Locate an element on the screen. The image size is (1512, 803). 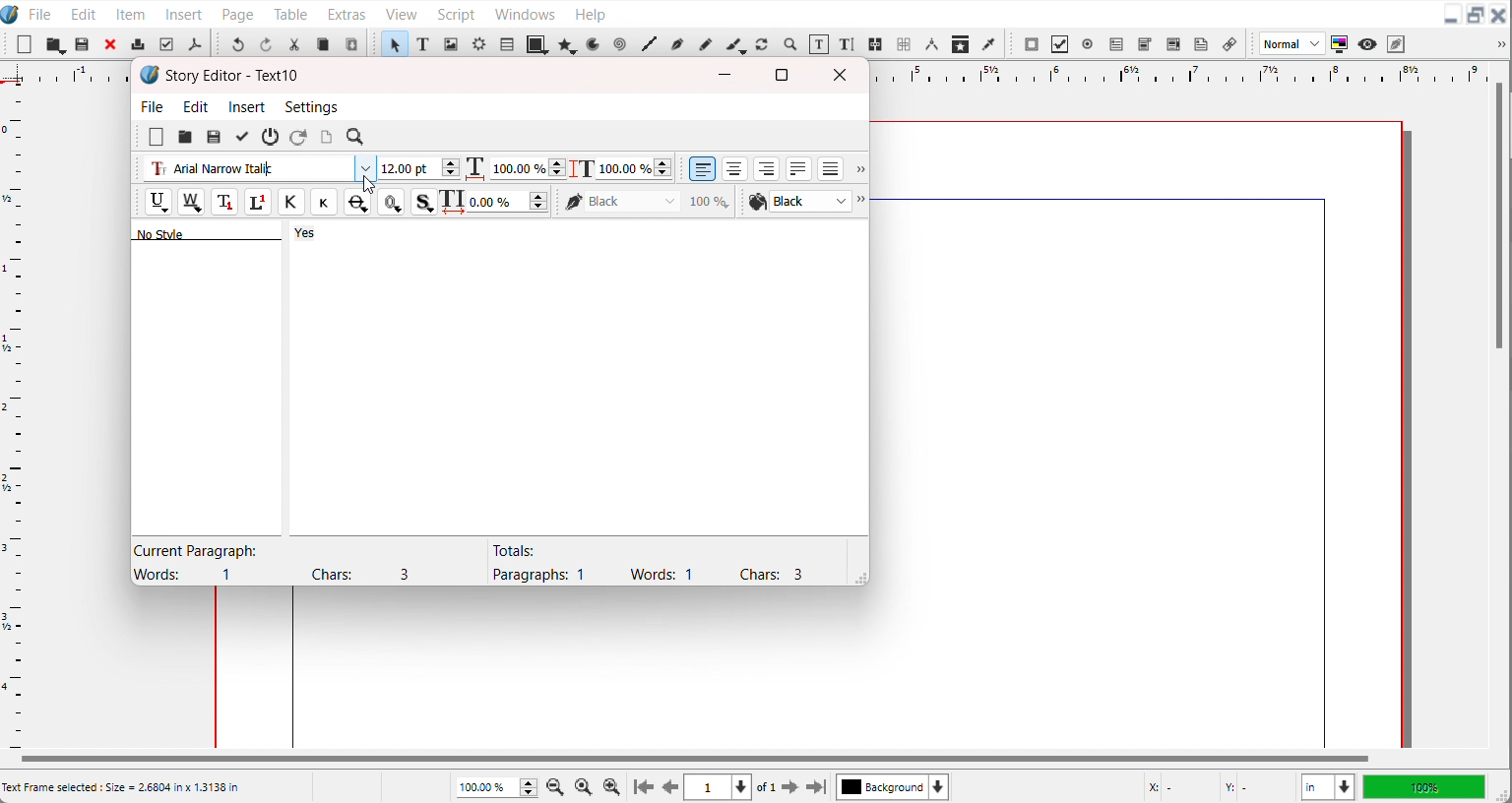
Drop down box is located at coordinates (1498, 44).